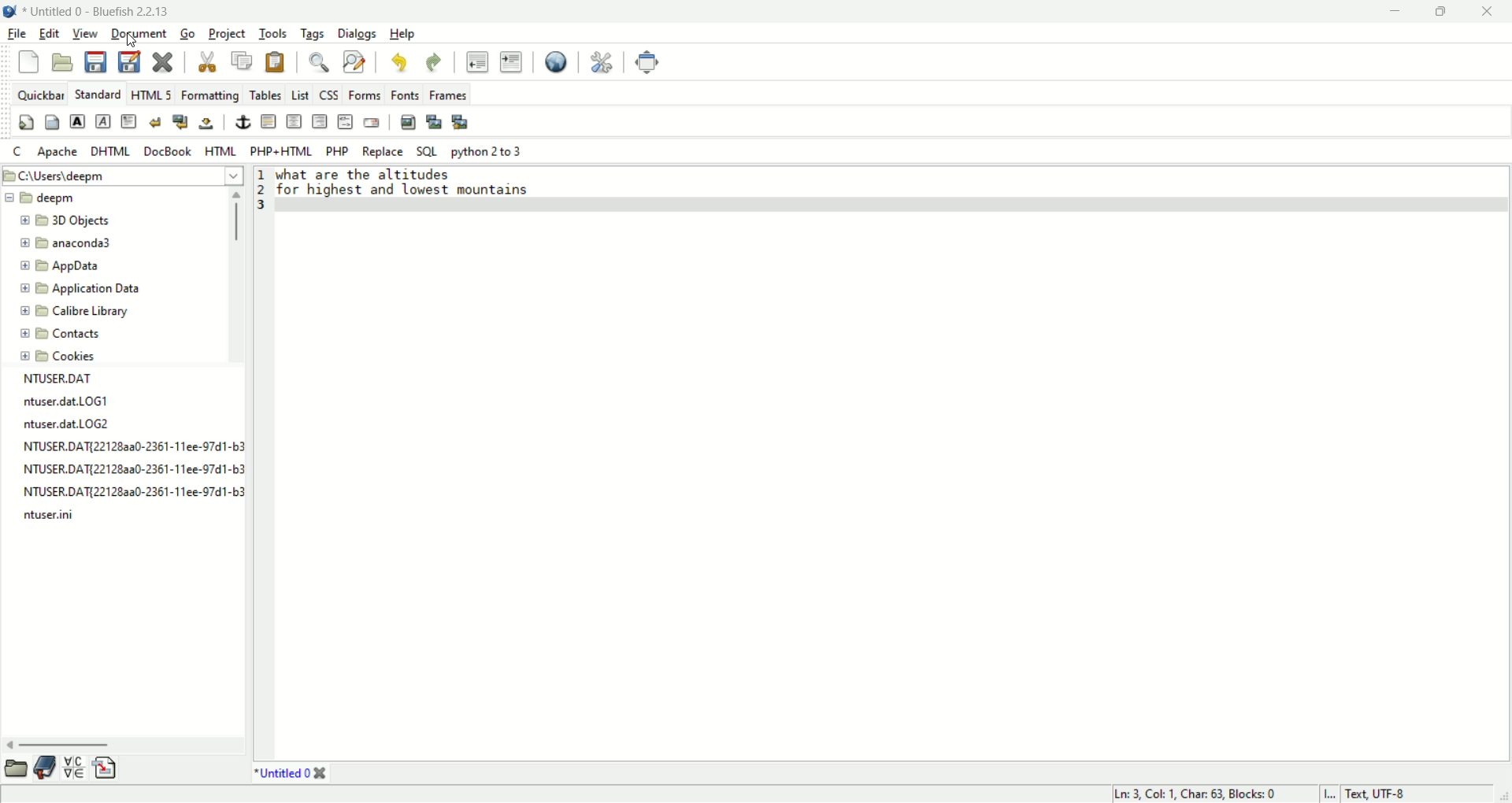 The height and width of the screenshot is (803, 1512). I want to click on text, so click(418, 185).